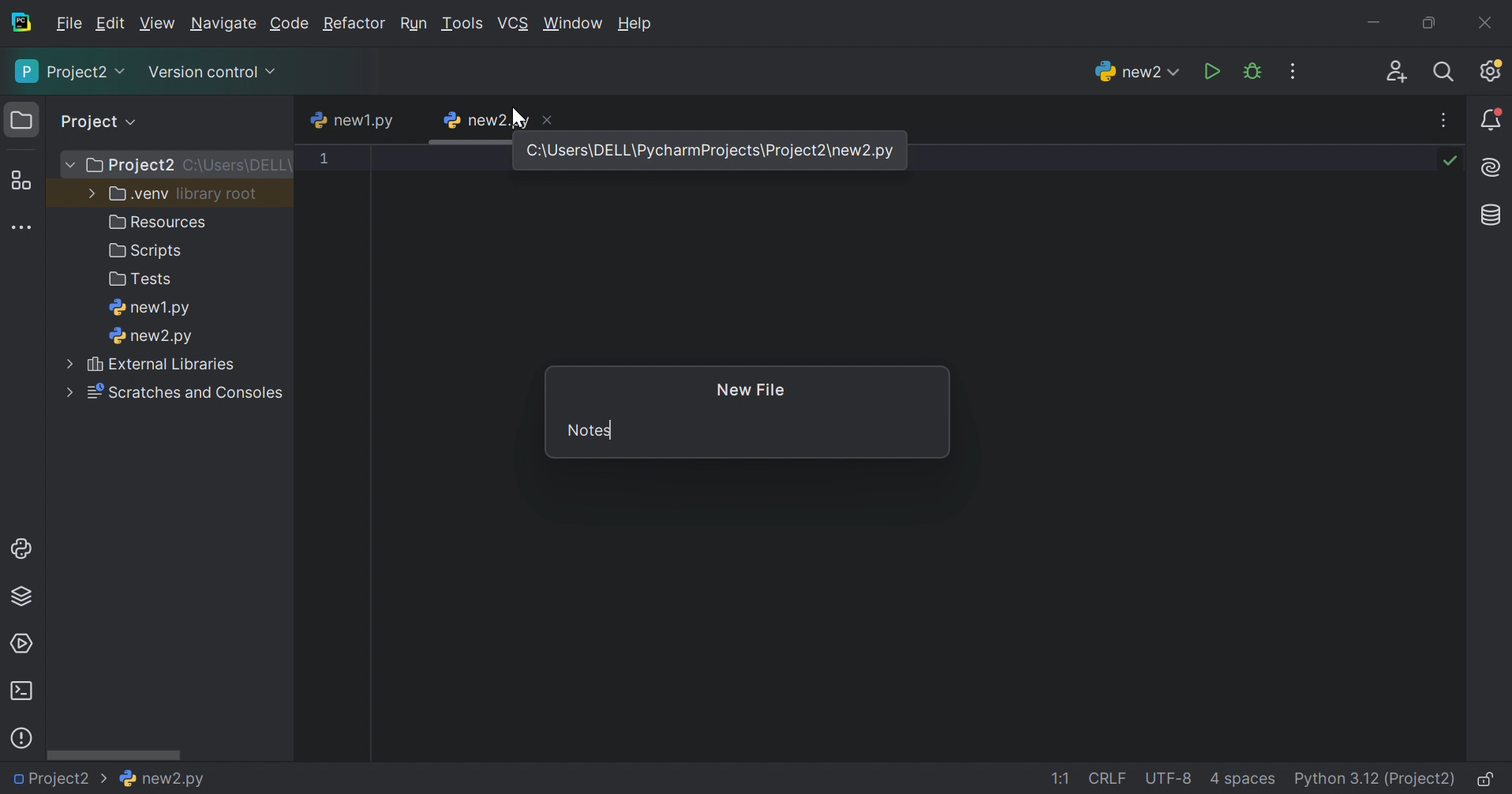  What do you see at coordinates (24, 736) in the screenshot?
I see `Problems` at bounding box center [24, 736].